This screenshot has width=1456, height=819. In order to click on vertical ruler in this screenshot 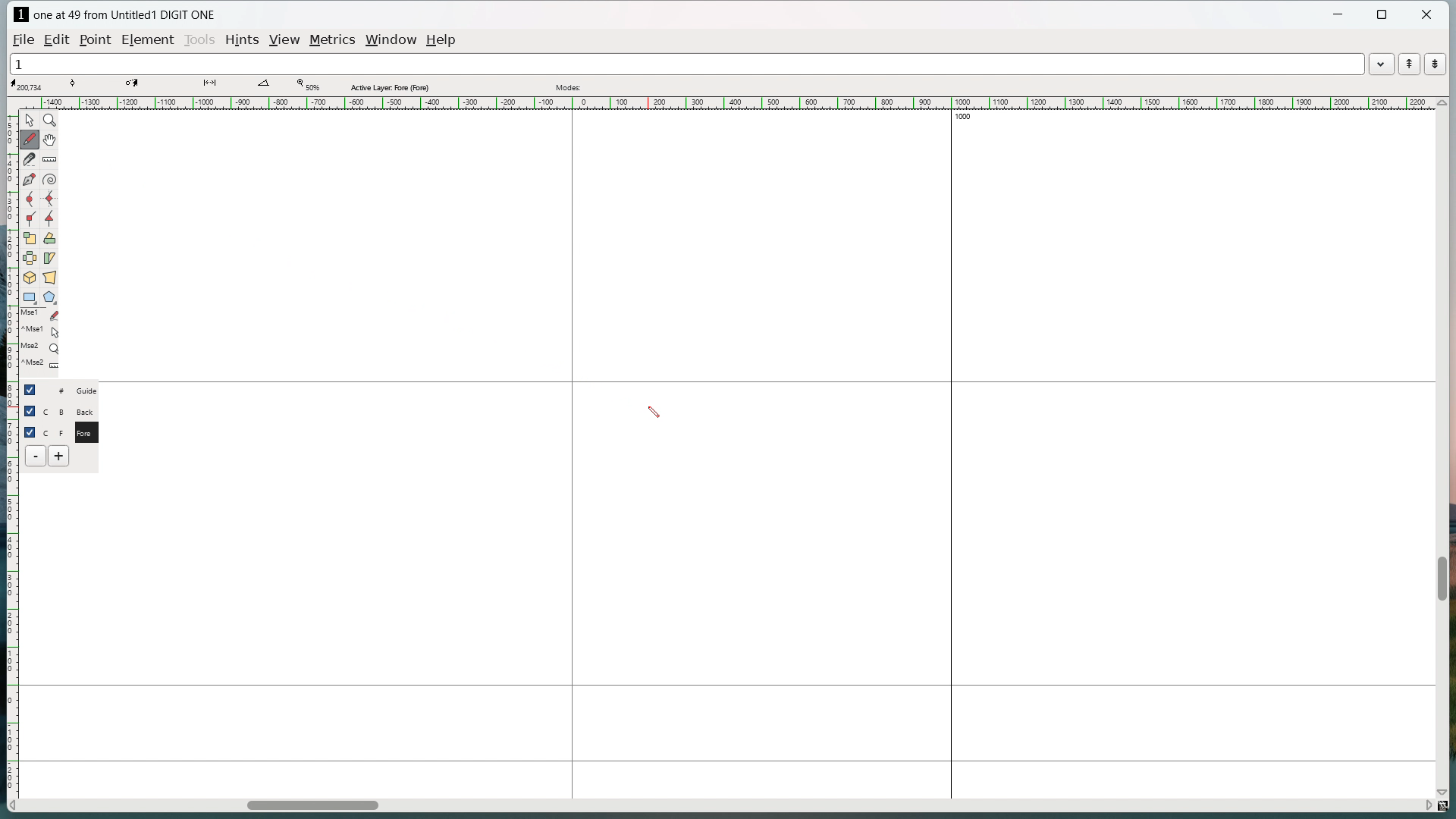, I will do `click(11, 446)`.